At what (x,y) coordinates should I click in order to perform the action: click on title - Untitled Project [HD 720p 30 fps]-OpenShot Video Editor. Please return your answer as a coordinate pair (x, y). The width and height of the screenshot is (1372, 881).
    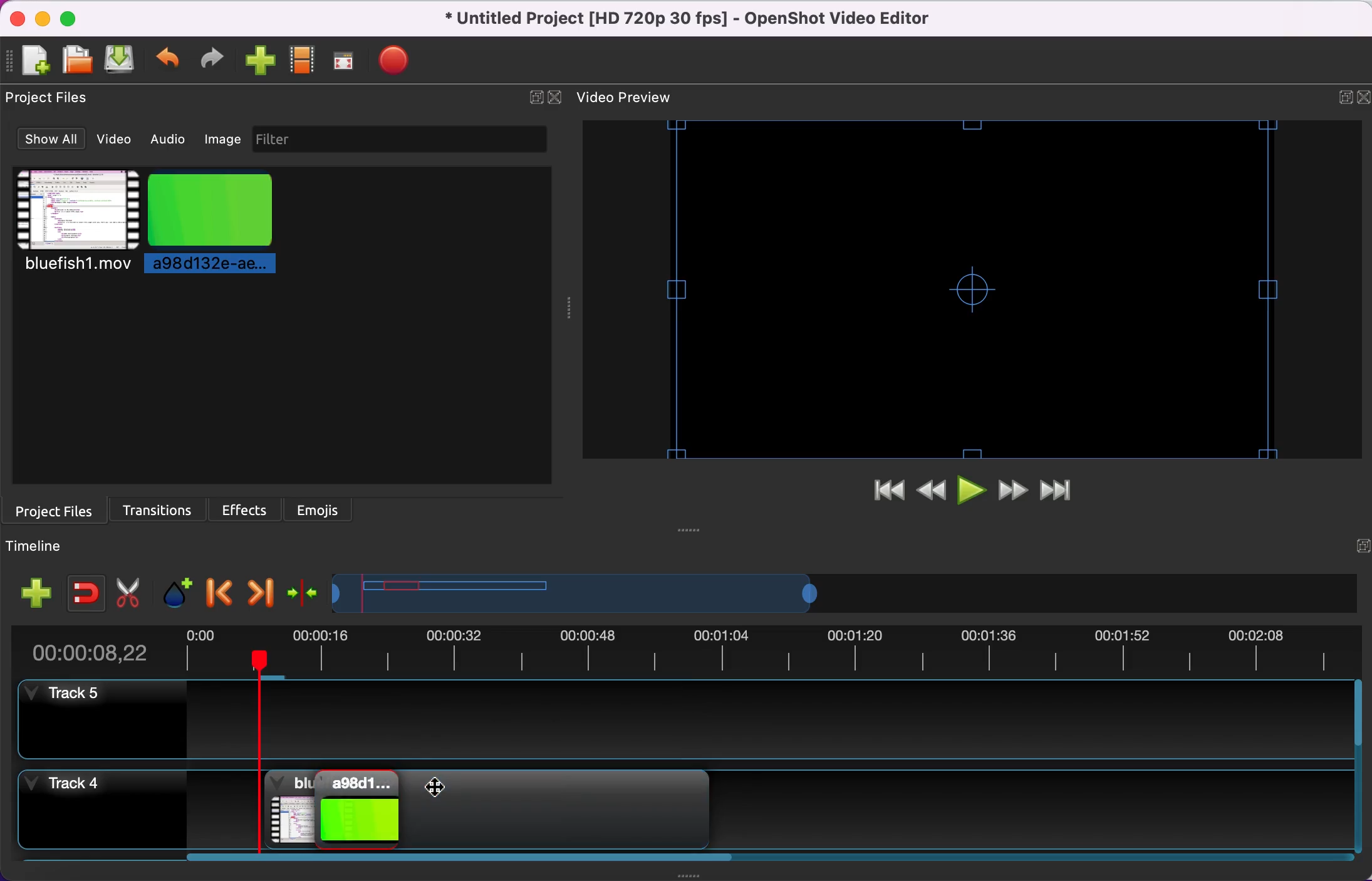
    Looking at the image, I should click on (707, 18).